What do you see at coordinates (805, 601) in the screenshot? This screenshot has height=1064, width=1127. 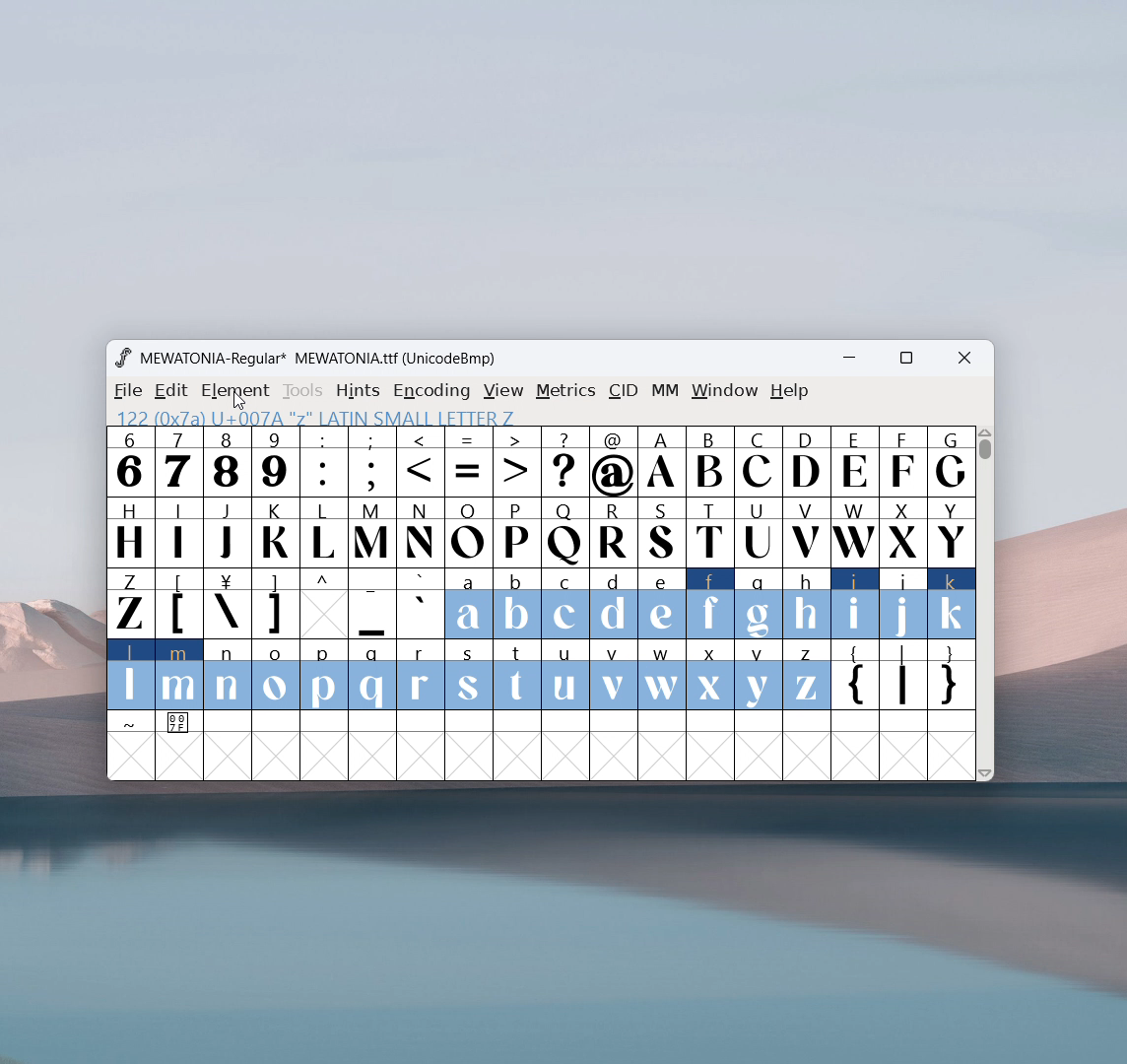 I see `h` at bounding box center [805, 601].